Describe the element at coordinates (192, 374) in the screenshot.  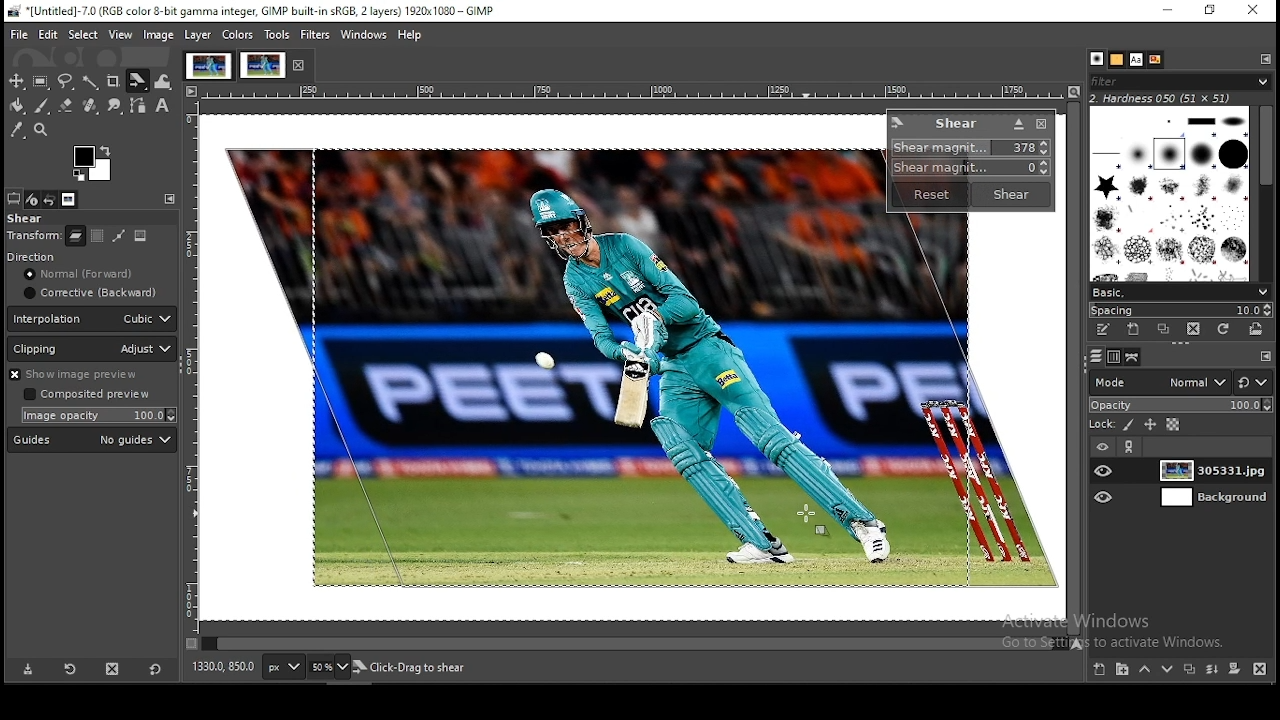
I see `vertical scale` at that location.